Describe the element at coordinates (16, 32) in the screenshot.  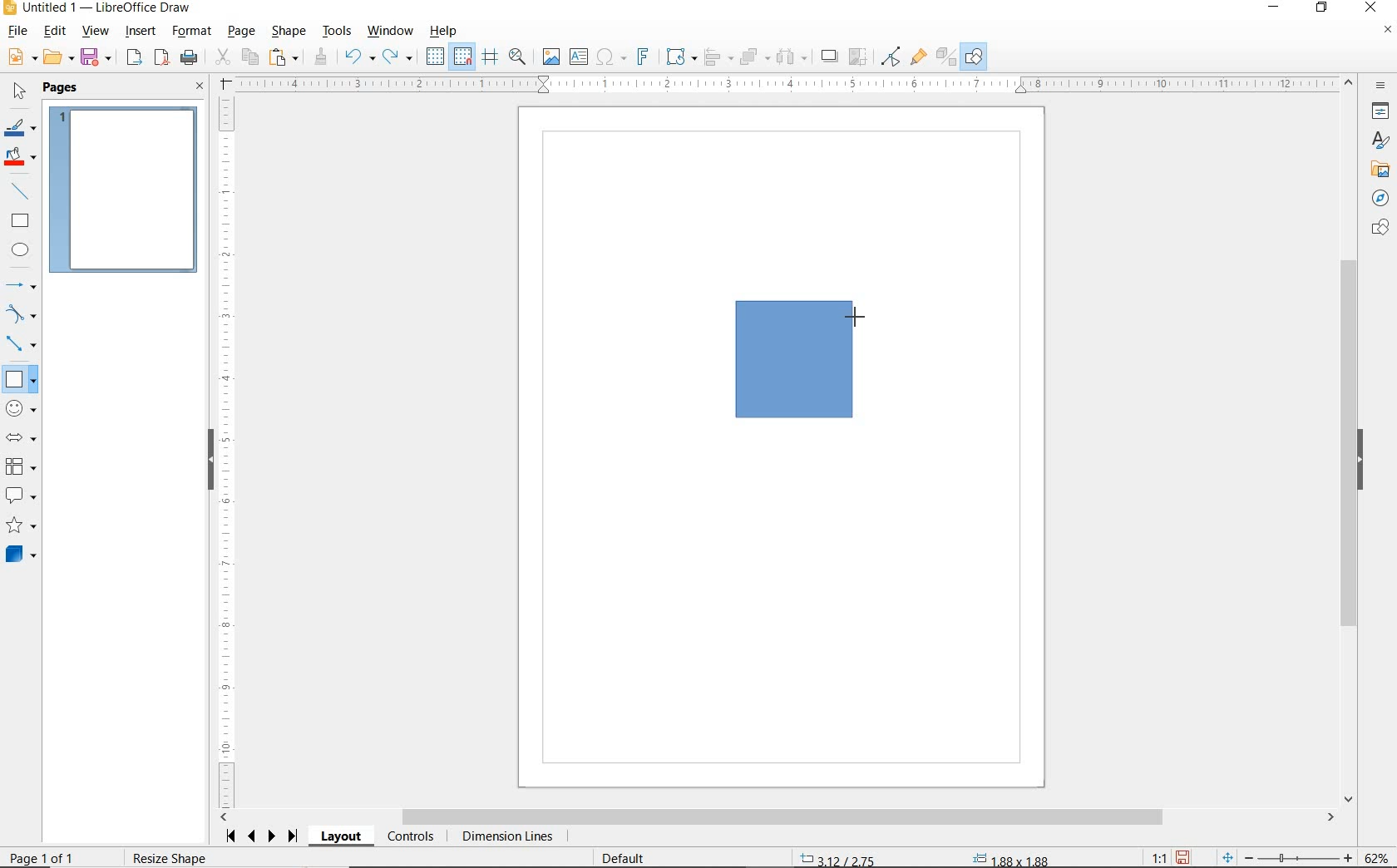
I see `FILE` at that location.